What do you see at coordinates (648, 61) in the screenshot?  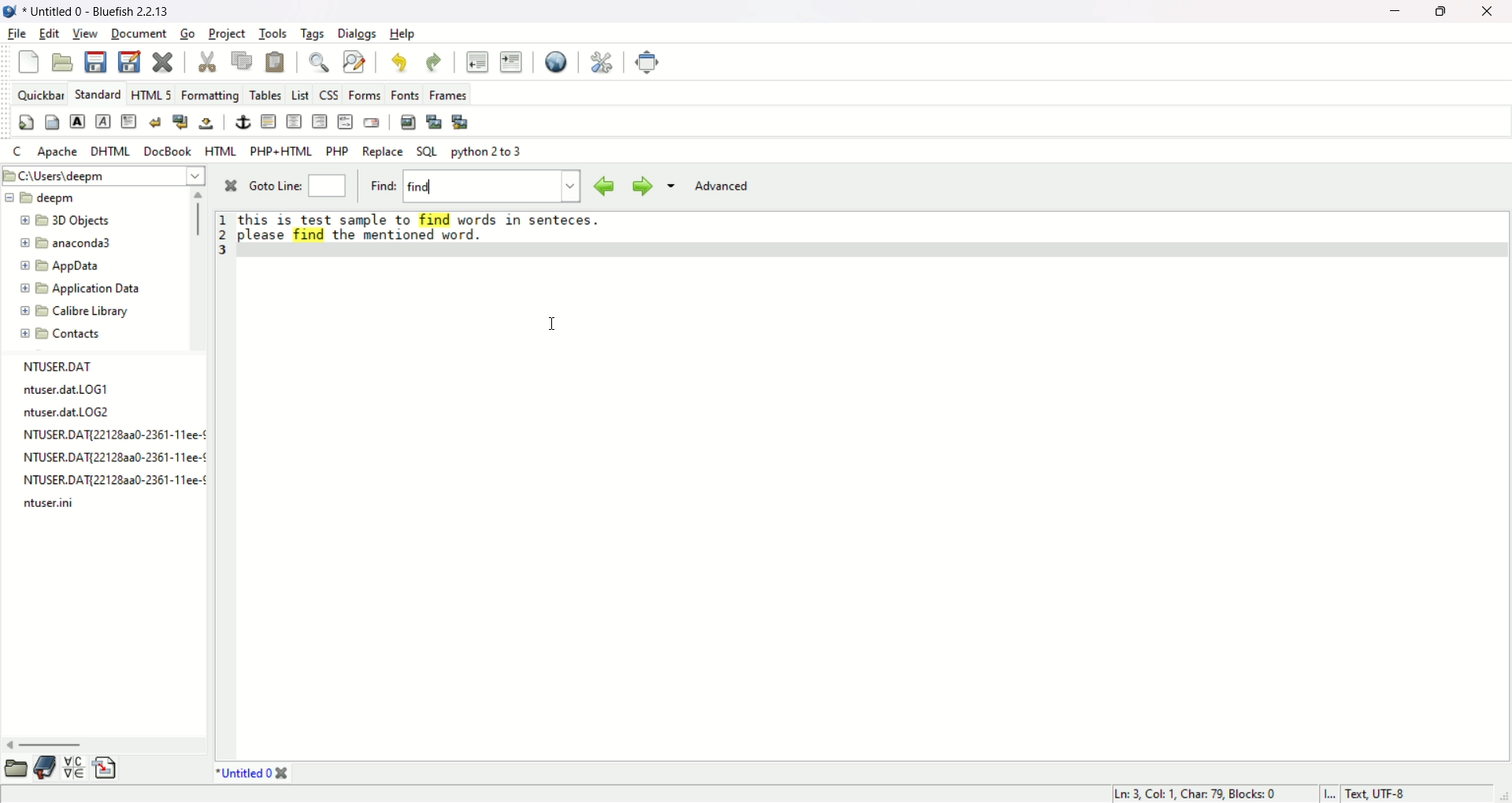 I see `fullscreen` at bounding box center [648, 61].